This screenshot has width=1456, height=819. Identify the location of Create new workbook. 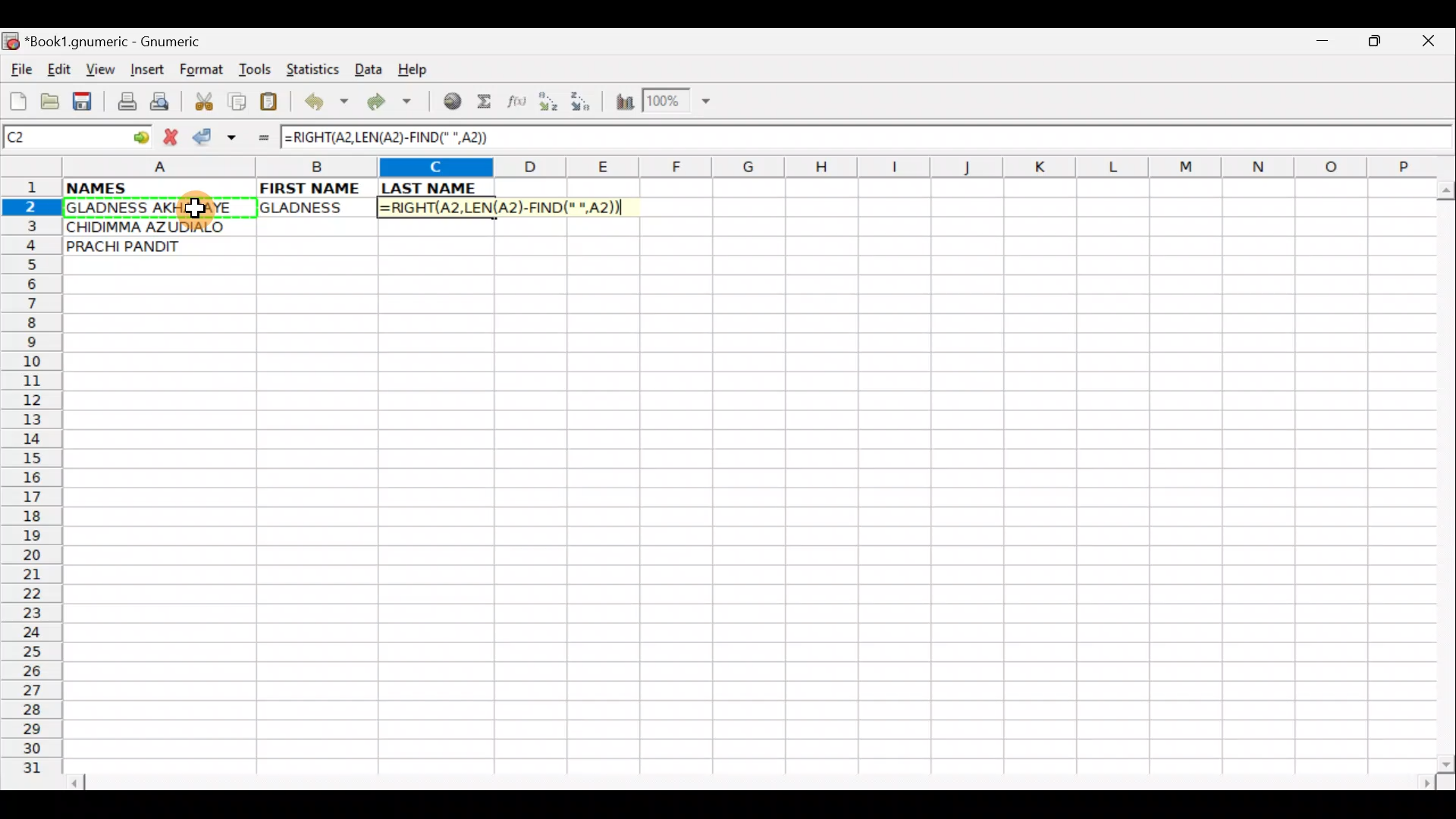
(17, 99).